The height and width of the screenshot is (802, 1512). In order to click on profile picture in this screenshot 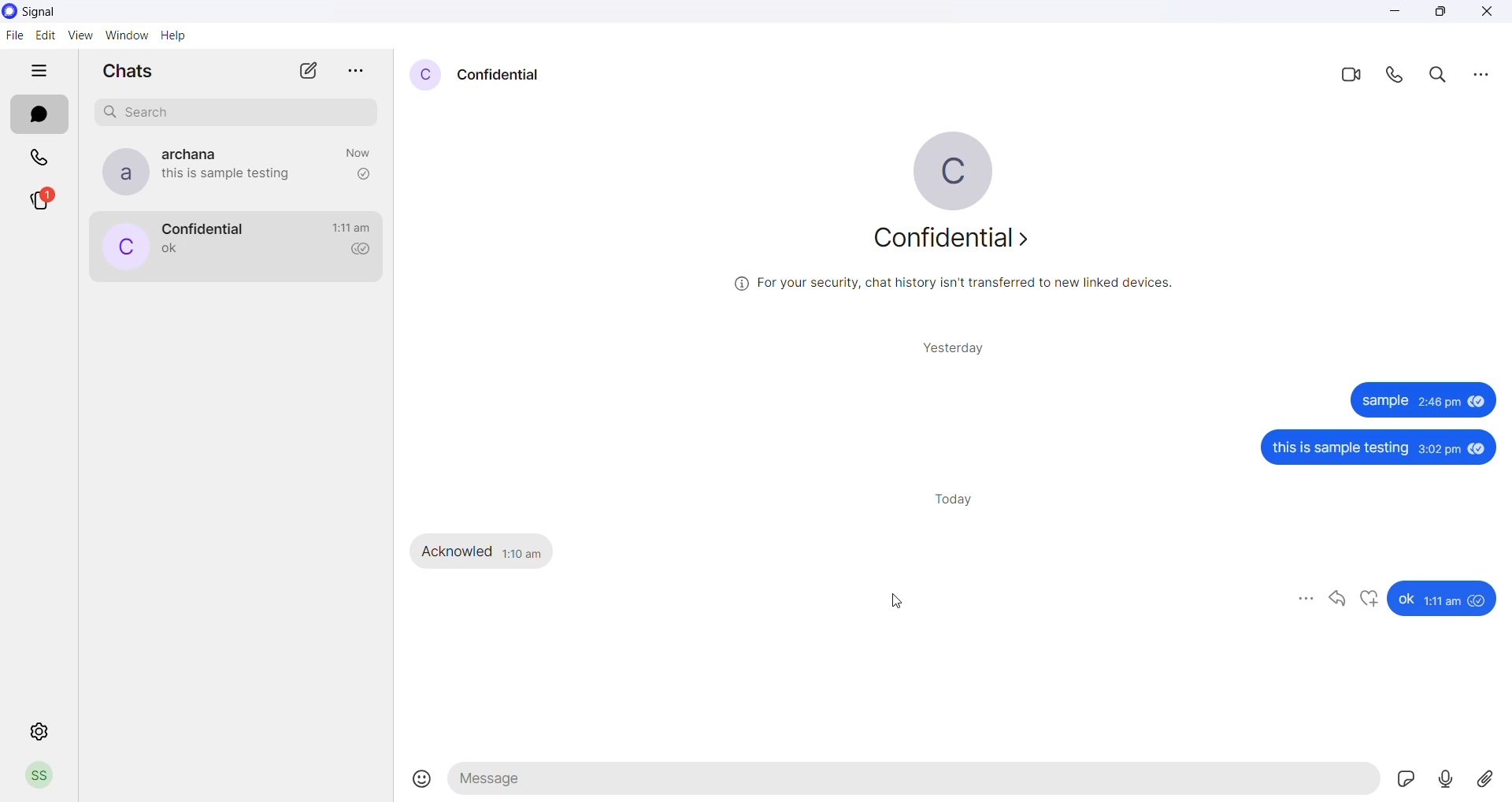, I will do `click(122, 248)`.